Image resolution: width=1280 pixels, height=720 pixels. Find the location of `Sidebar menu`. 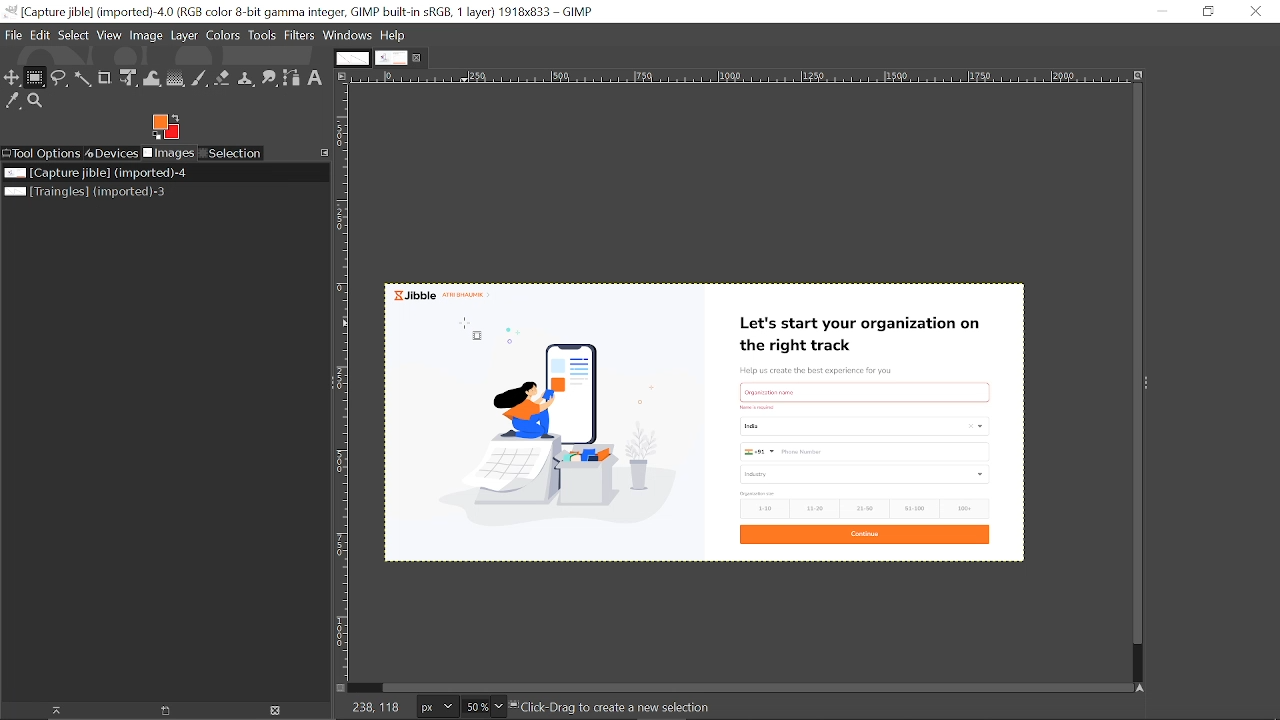

Sidebar menu is located at coordinates (1153, 384).